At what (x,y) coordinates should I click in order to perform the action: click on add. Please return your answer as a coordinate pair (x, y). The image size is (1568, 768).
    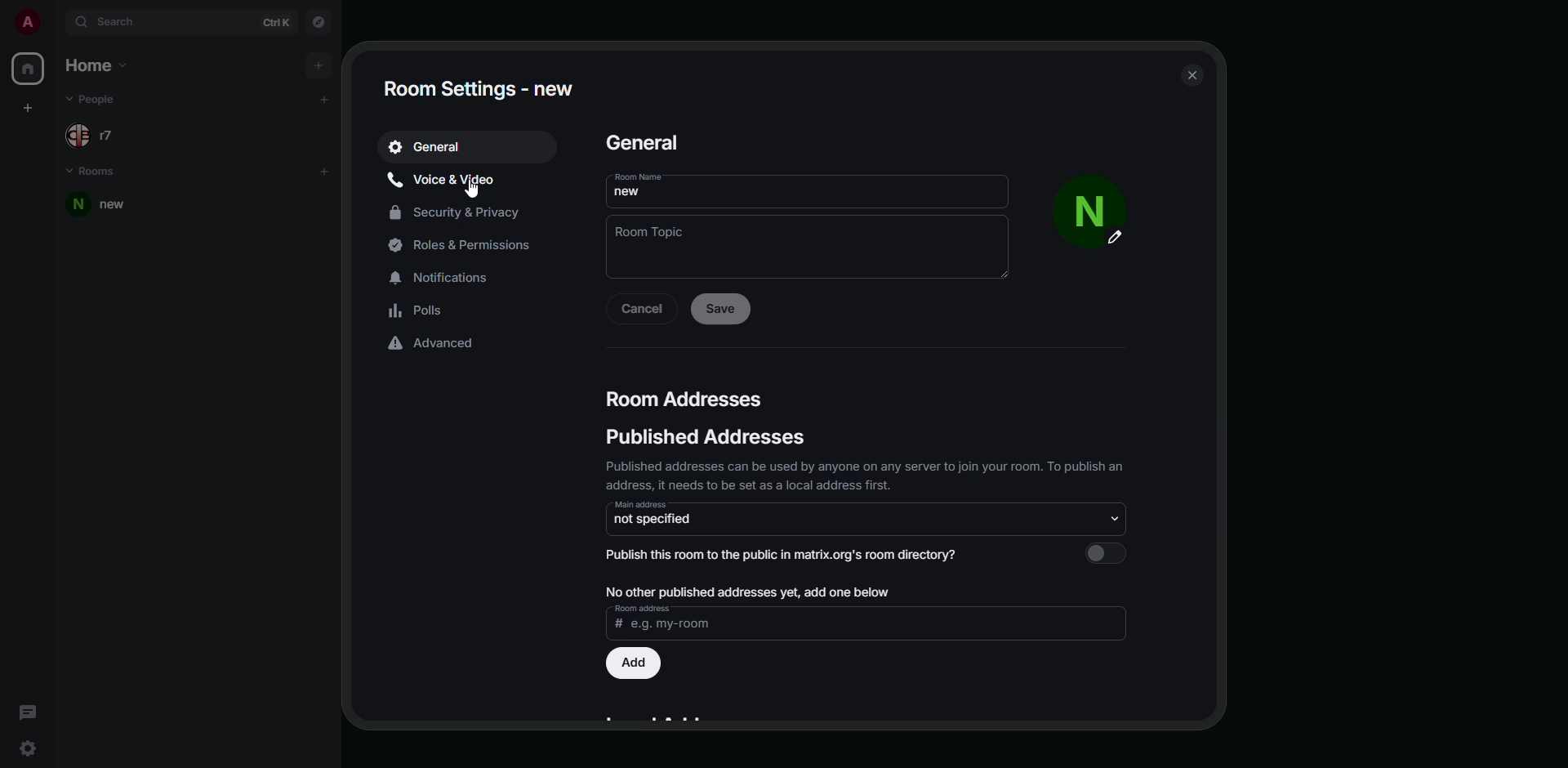
    Looking at the image, I should click on (634, 663).